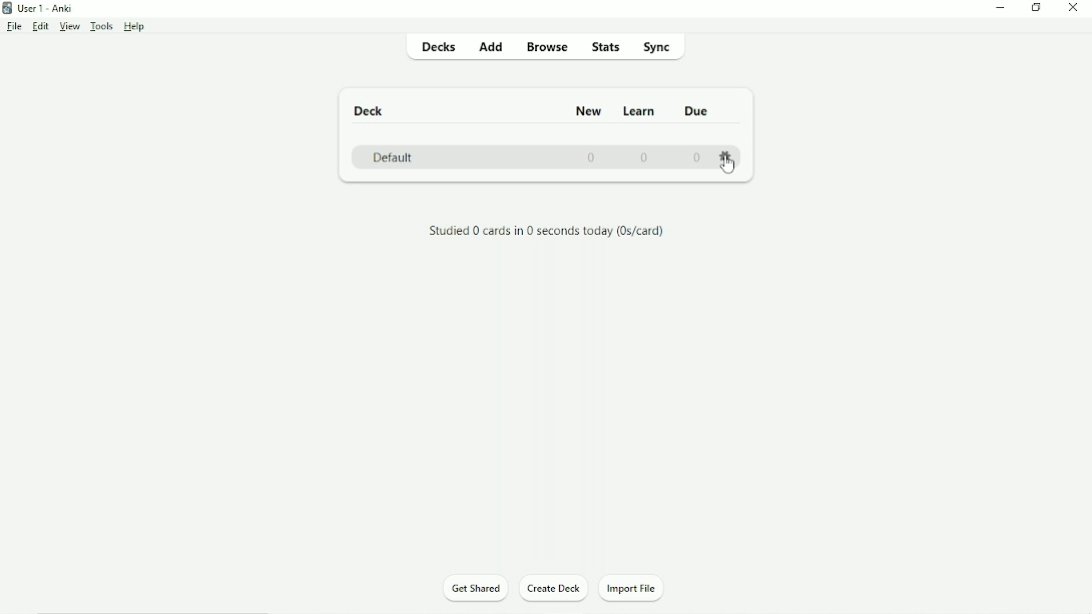 This screenshot has width=1092, height=614. I want to click on Stats, so click(606, 48).